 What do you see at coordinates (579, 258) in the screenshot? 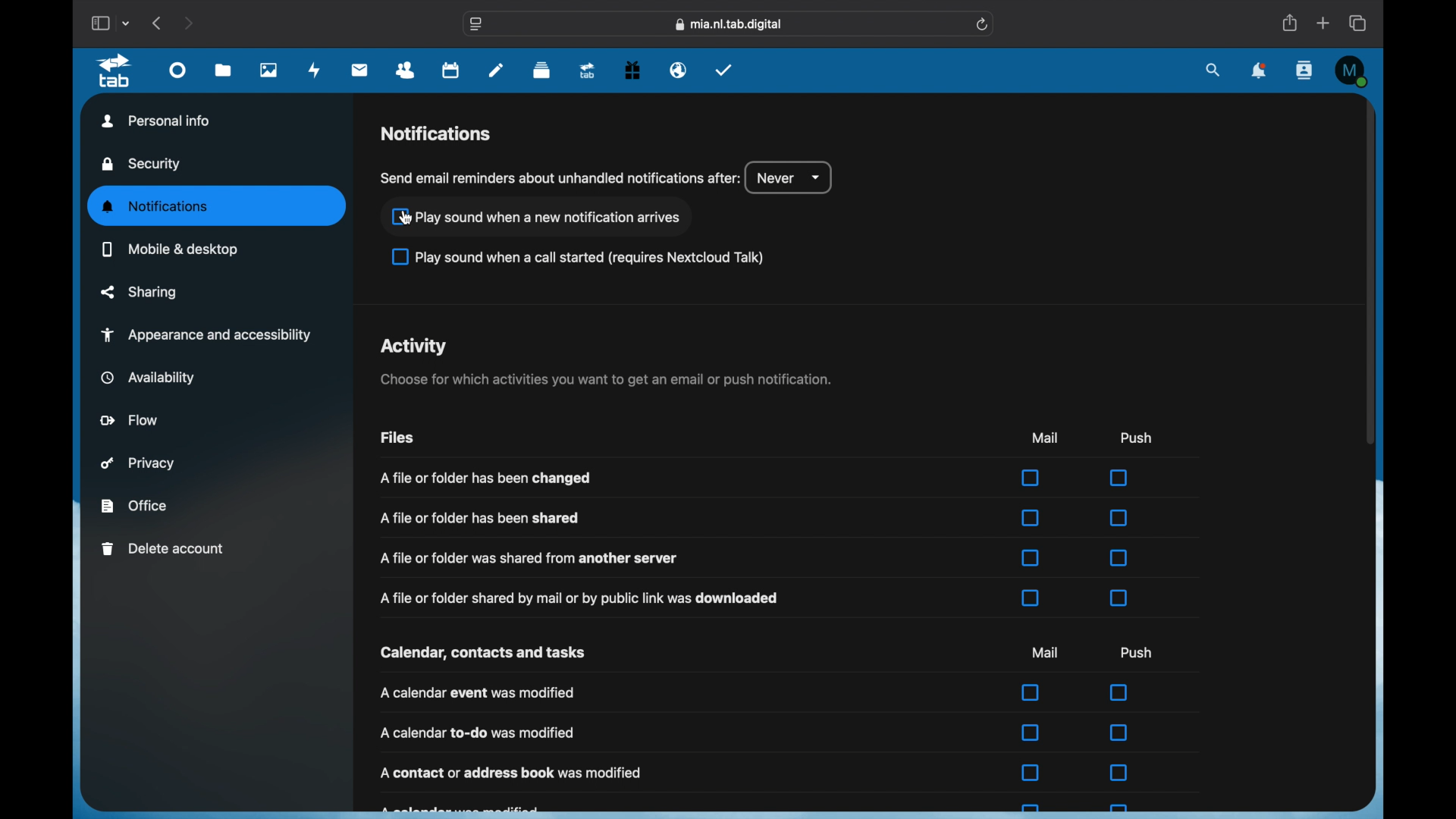
I see `checkbox` at bounding box center [579, 258].